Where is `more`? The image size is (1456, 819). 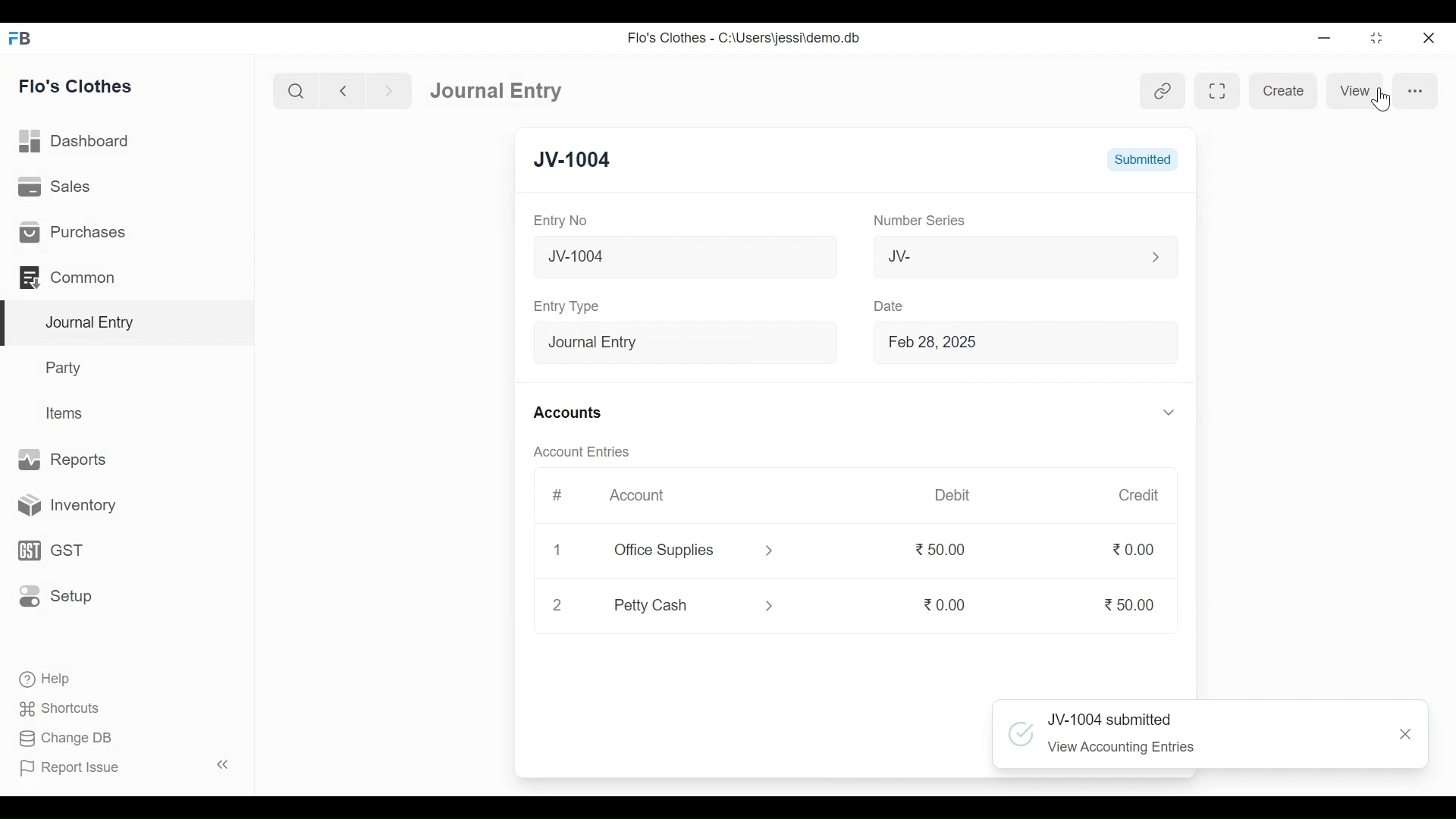
more is located at coordinates (1413, 90).